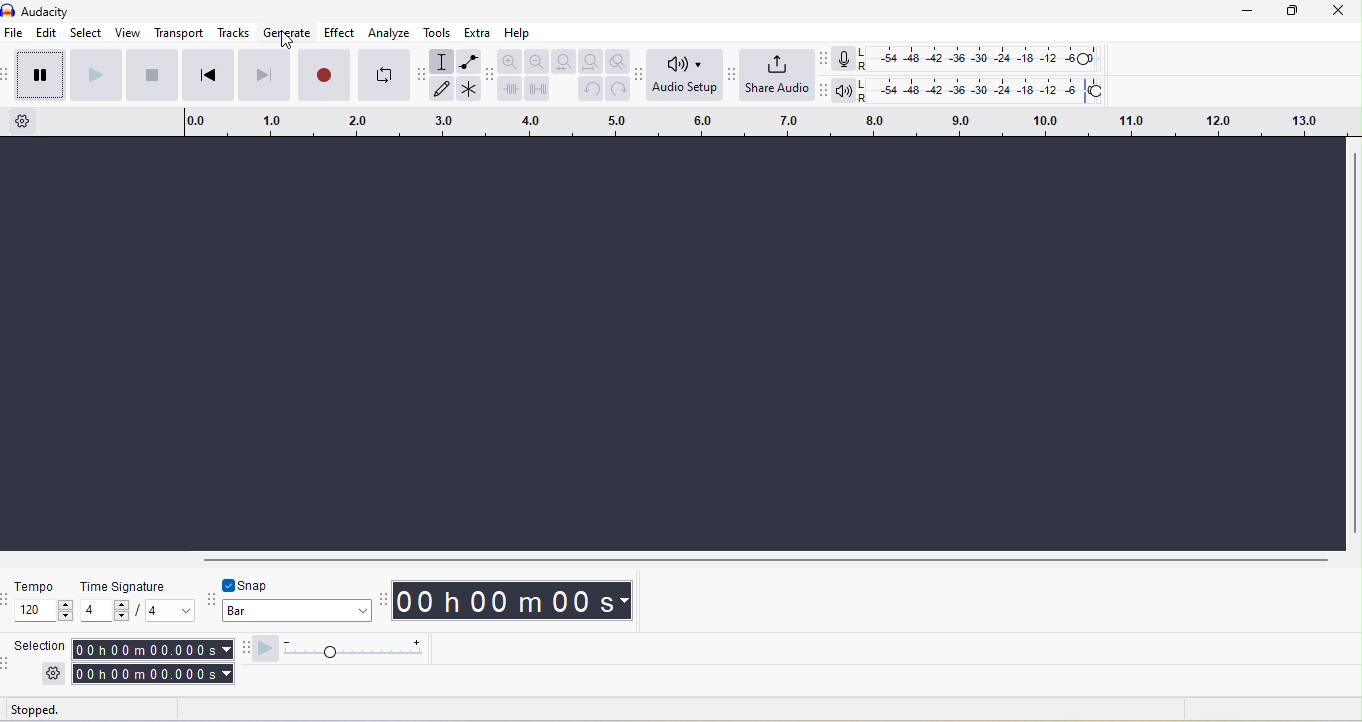 This screenshot has height=722, width=1362. What do you see at coordinates (589, 90) in the screenshot?
I see `undo` at bounding box center [589, 90].